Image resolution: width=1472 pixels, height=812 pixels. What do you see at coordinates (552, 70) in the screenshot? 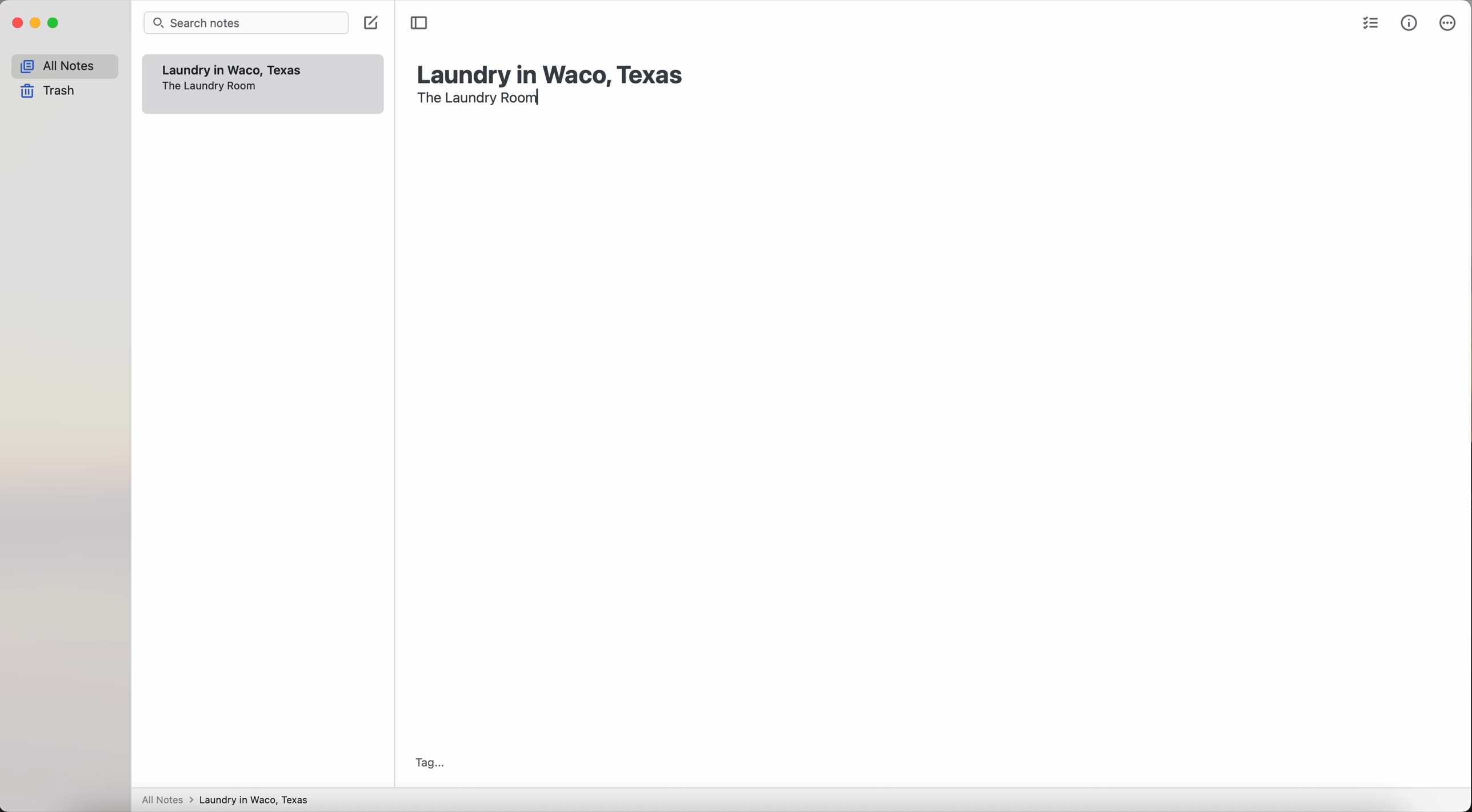
I see `laundry in Waco, Texas` at bounding box center [552, 70].